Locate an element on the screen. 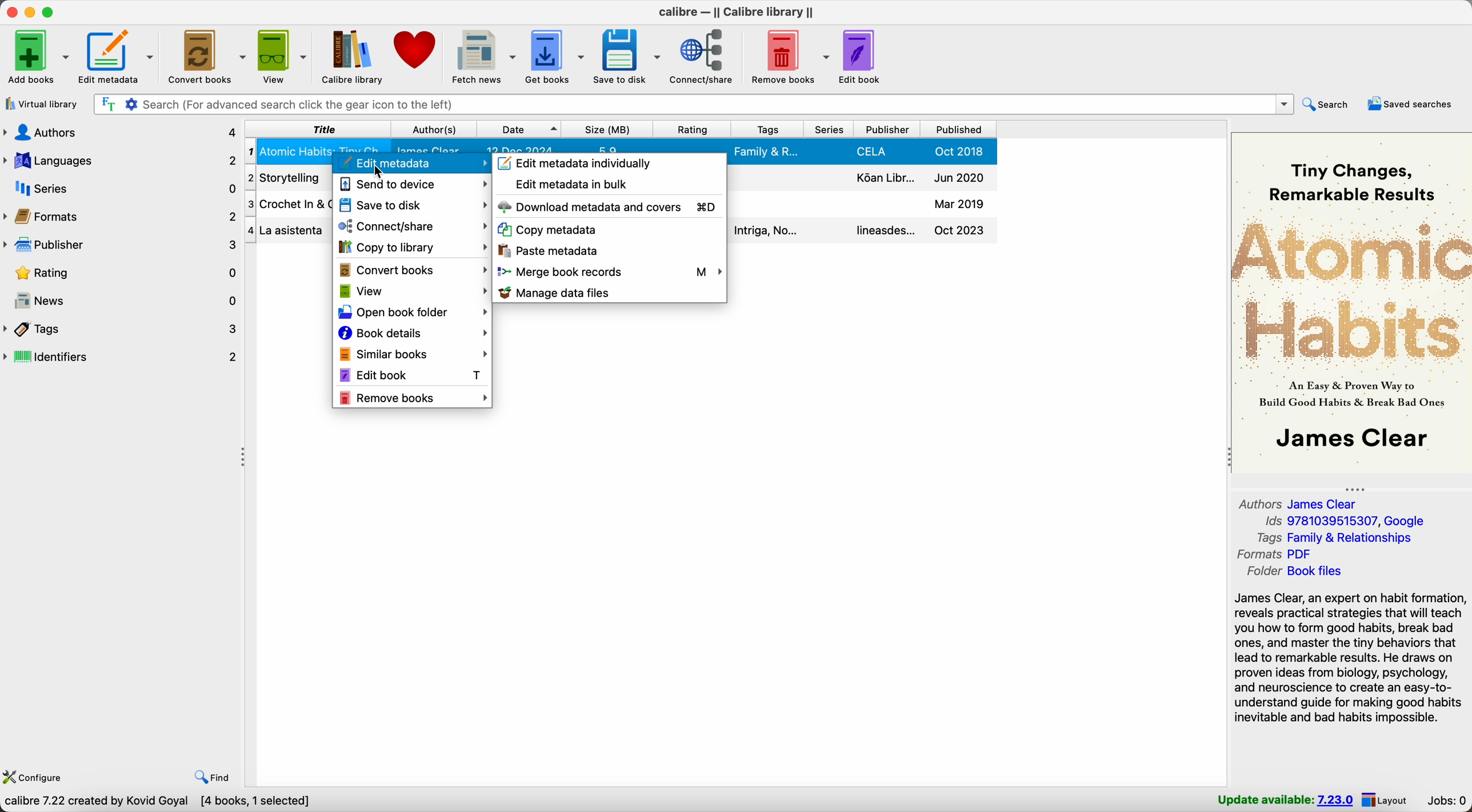 The image size is (1472, 812). edit metadata individually is located at coordinates (583, 161).